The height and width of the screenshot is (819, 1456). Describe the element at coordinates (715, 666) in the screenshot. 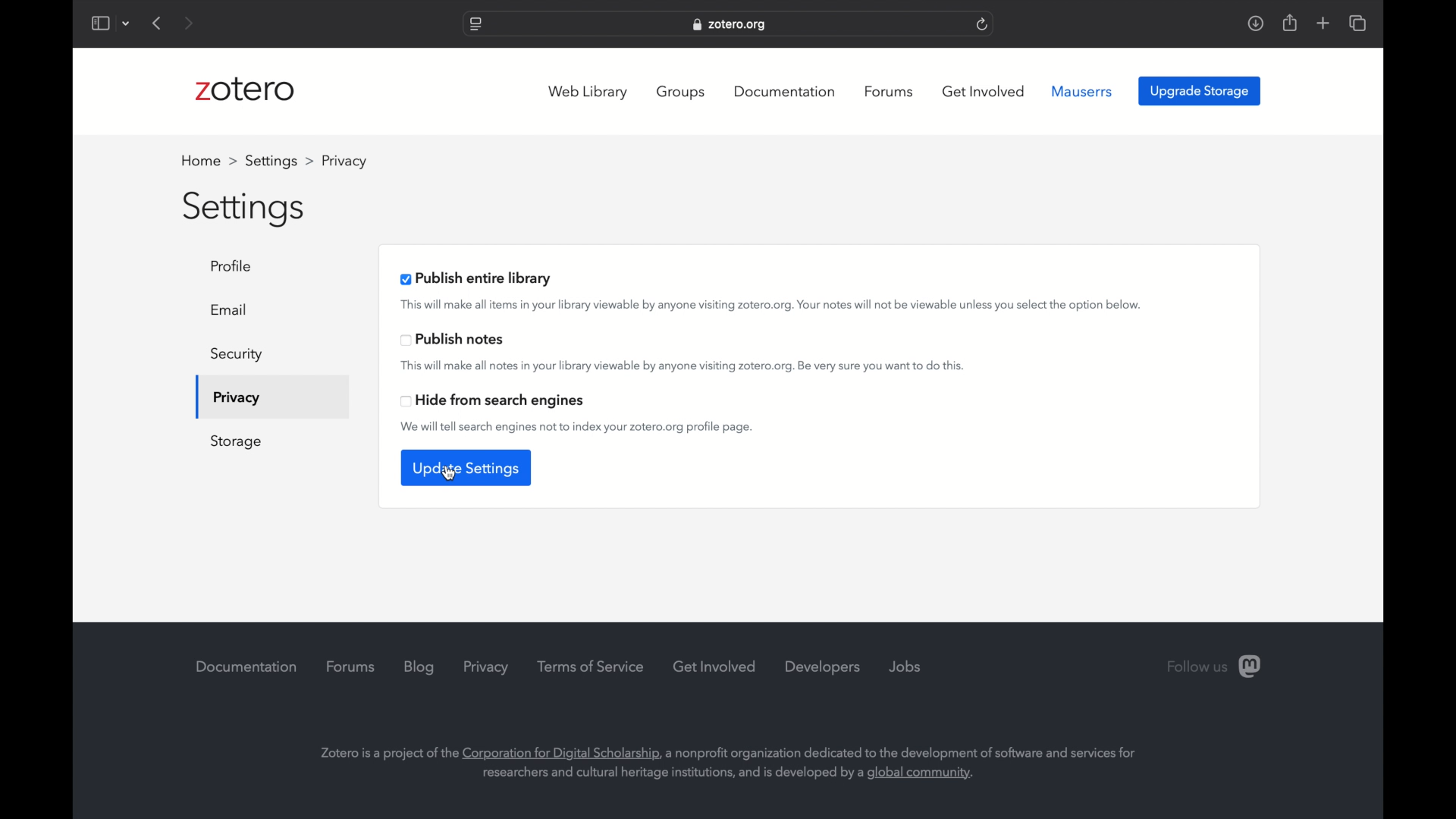

I see `get involved` at that location.